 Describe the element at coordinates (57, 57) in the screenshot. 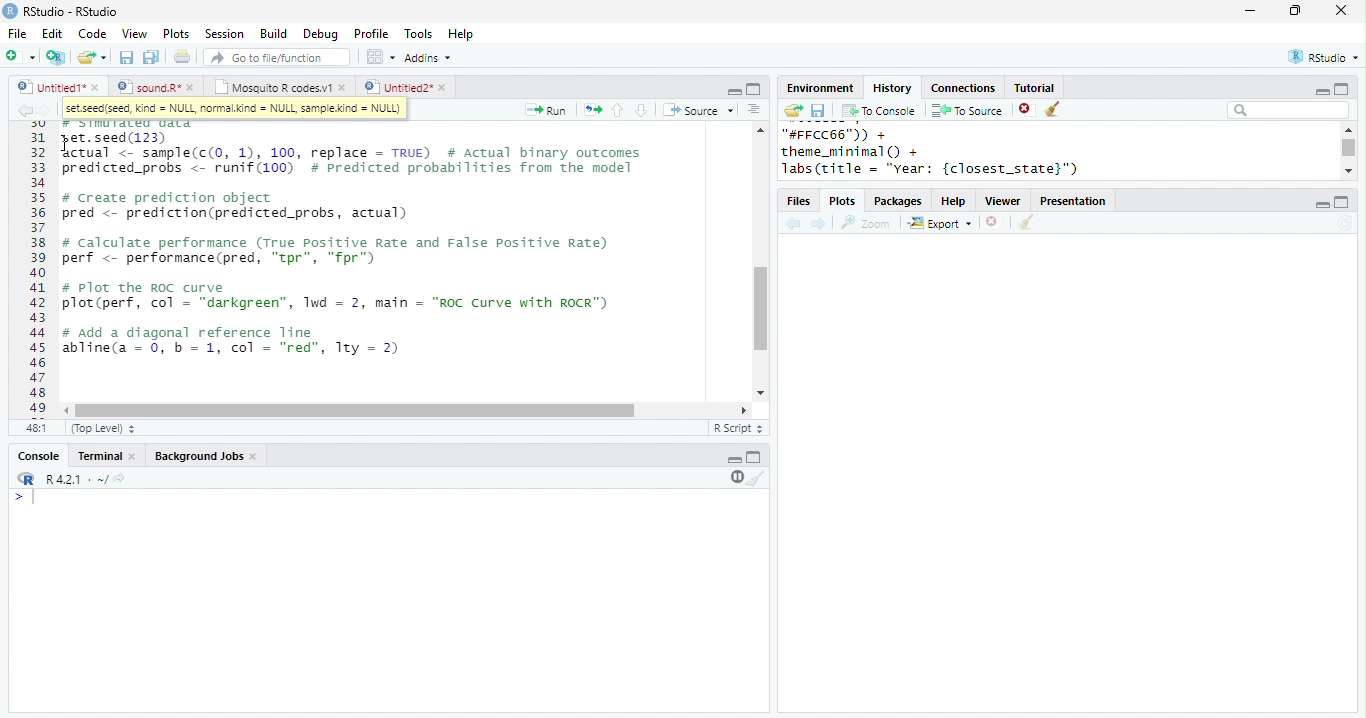

I see `new project` at that location.